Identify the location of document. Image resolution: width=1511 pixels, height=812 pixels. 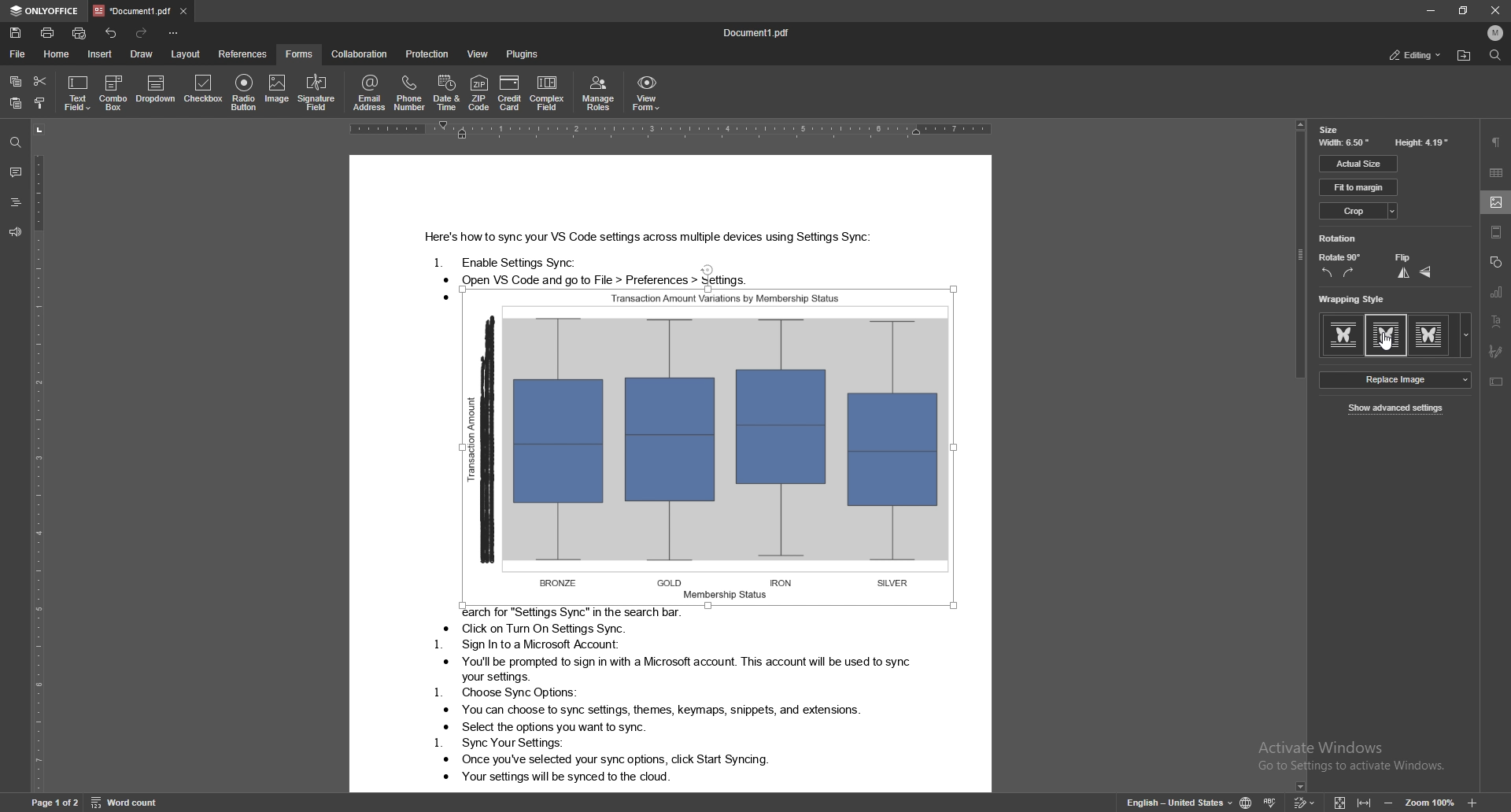
(672, 221).